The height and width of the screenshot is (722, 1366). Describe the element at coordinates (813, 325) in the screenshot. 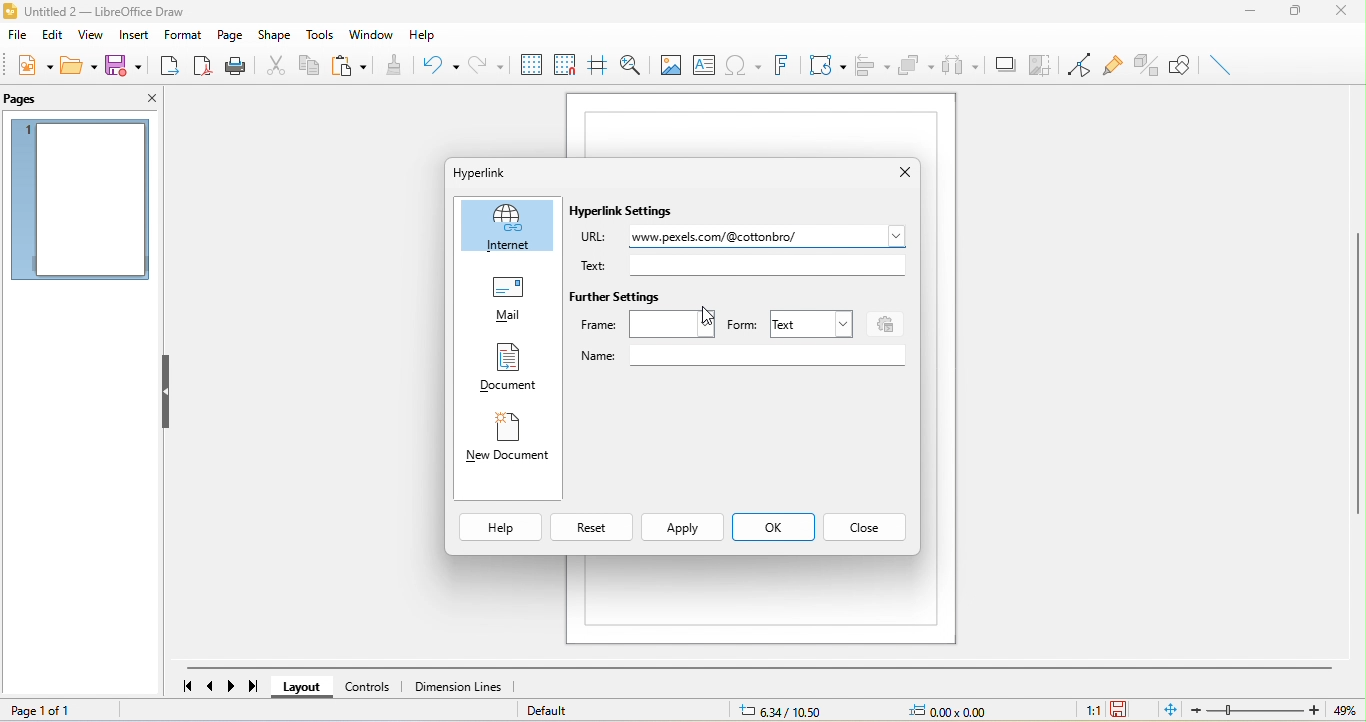

I see `text` at that location.